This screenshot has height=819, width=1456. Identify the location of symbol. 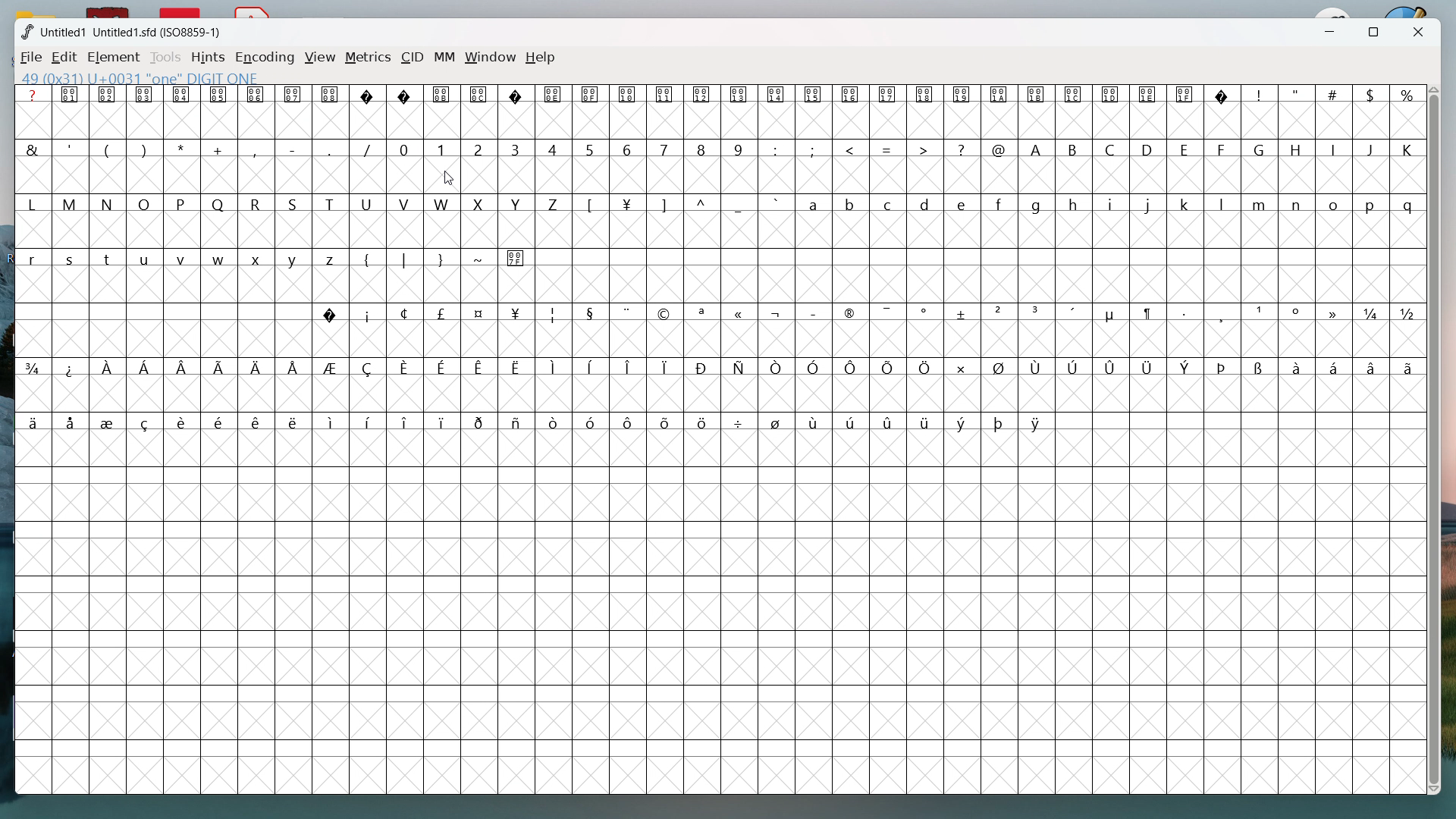
(147, 422).